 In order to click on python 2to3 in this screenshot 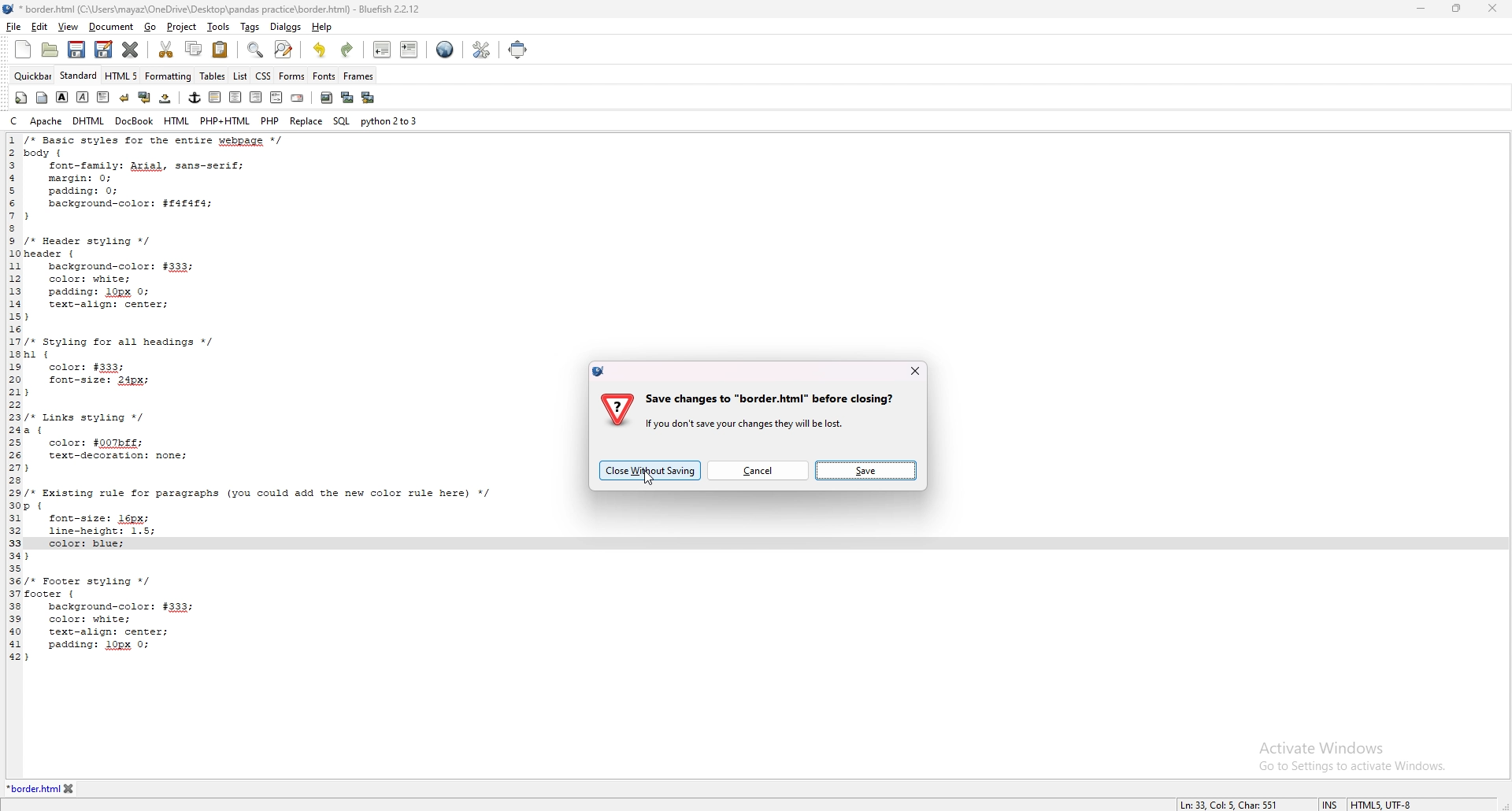, I will do `click(389, 120)`.